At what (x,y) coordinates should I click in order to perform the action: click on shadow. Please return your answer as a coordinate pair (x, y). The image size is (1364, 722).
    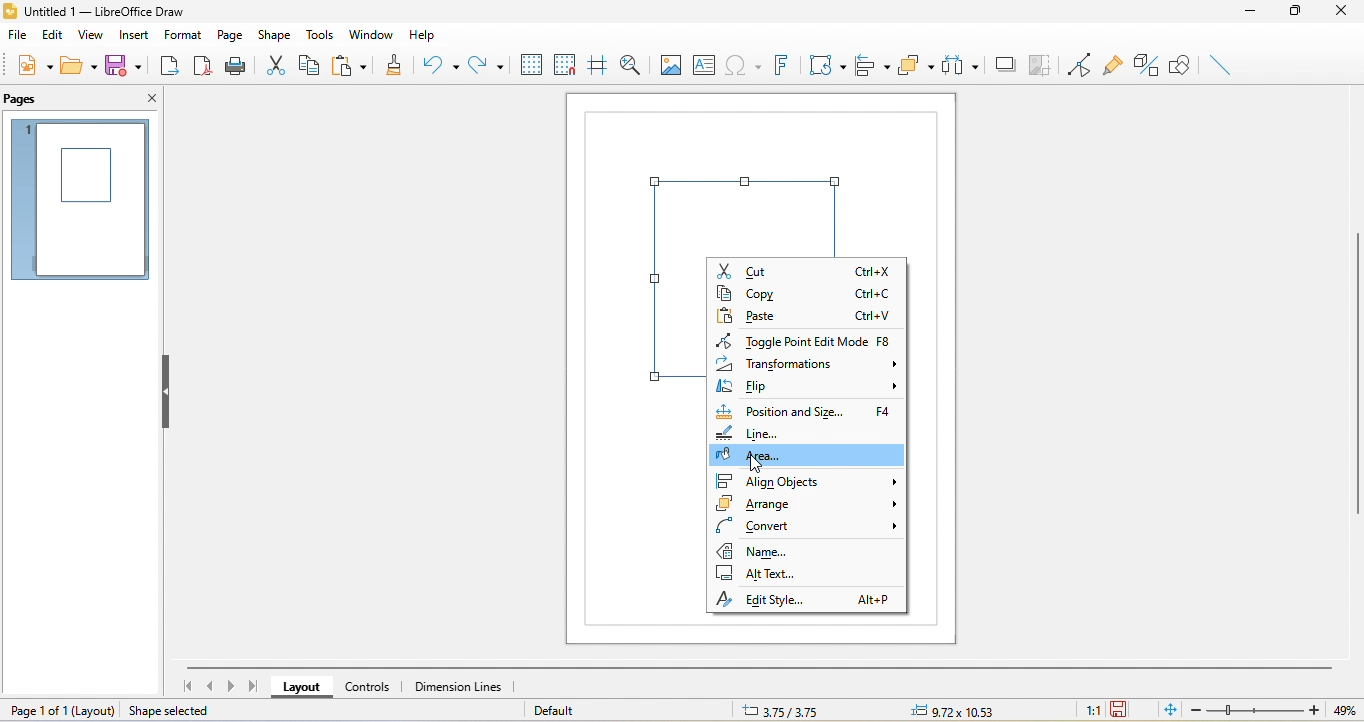
    Looking at the image, I should click on (1005, 63).